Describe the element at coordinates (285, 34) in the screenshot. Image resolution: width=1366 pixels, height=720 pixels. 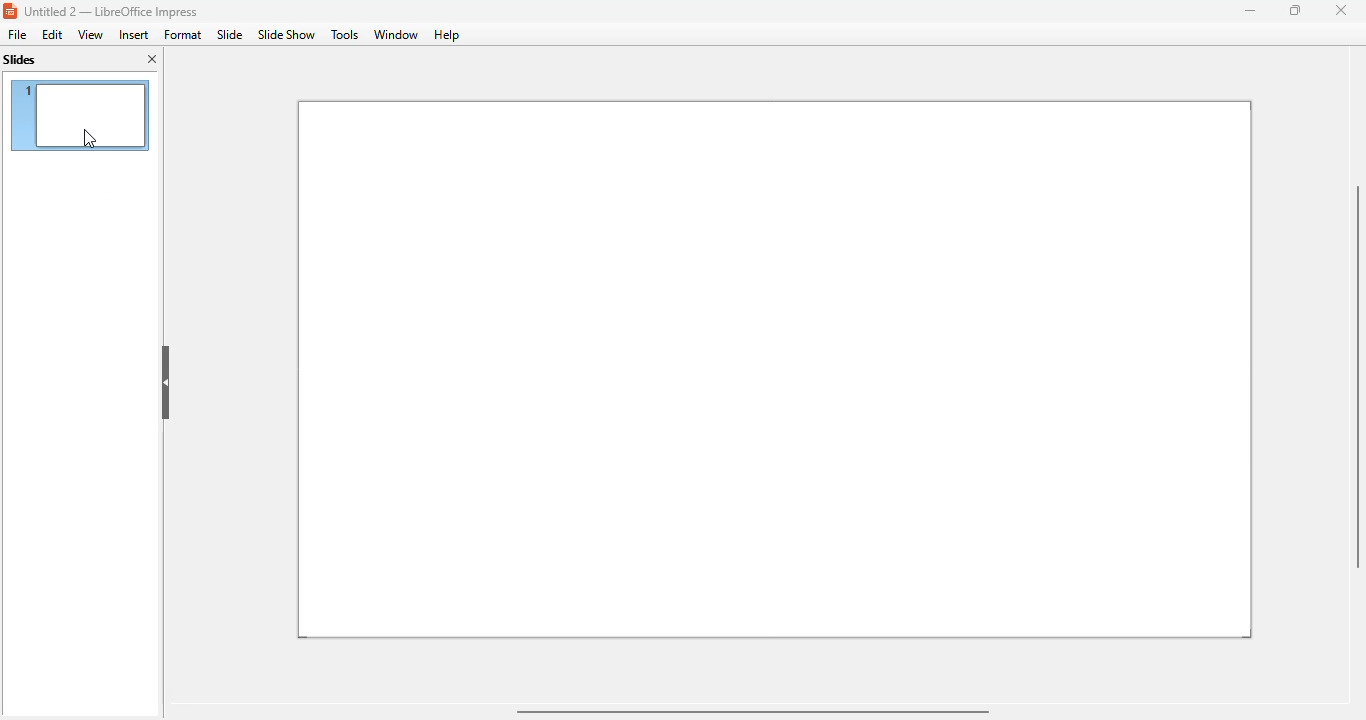
I see `slide show` at that location.